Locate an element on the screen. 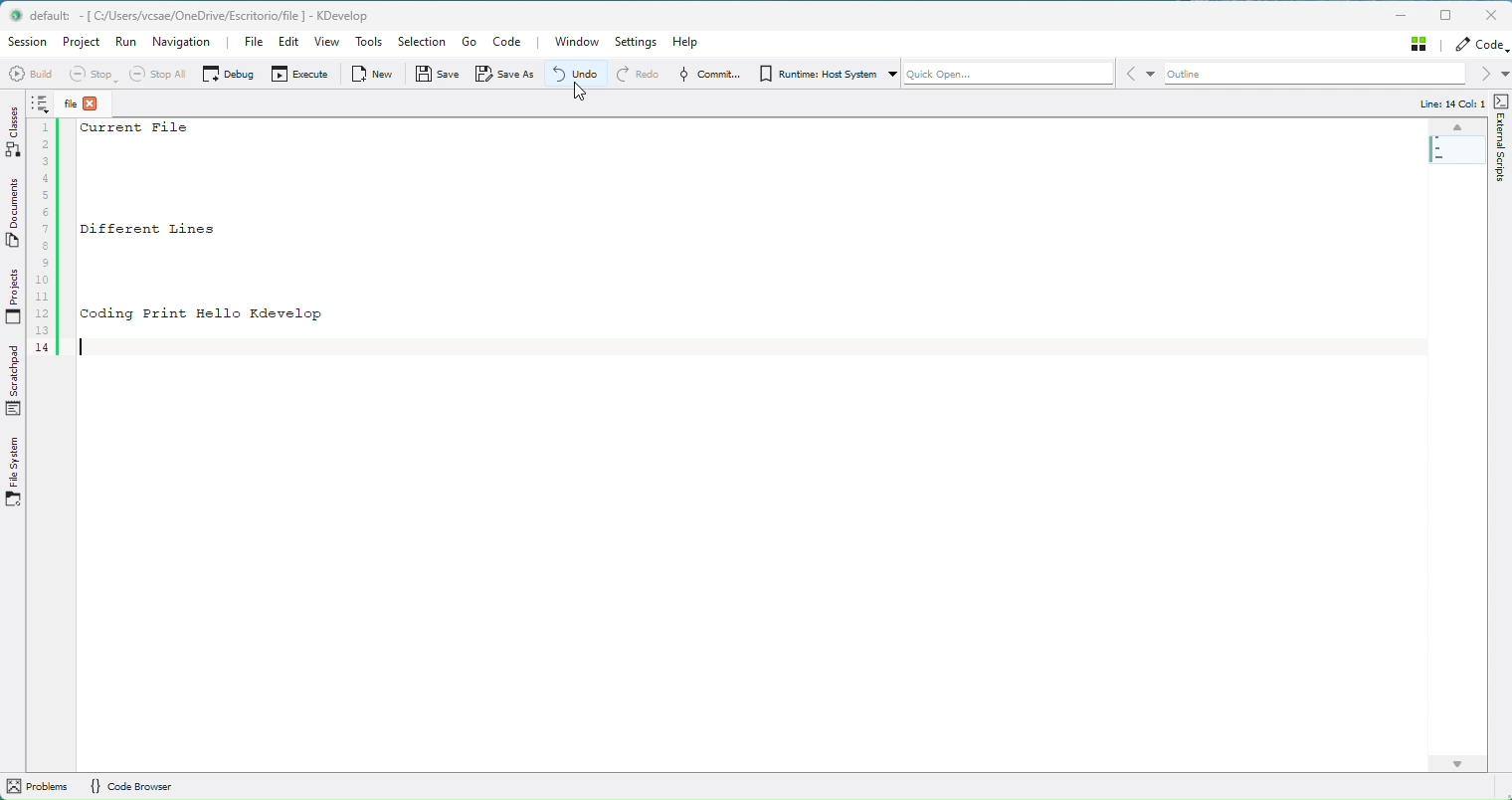 Image resolution: width=1512 pixels, height=800 pixels. Window is located at coordinates (572, 42).